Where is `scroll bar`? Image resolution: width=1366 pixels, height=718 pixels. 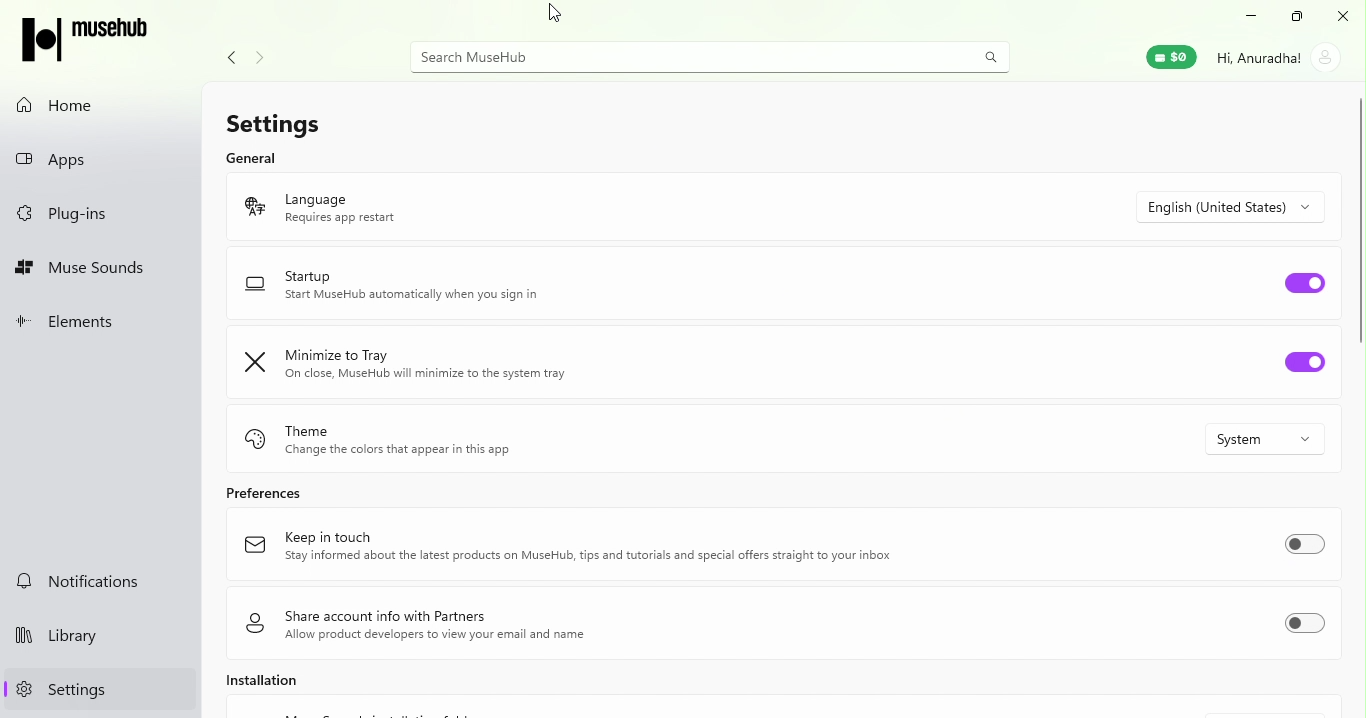 scroll bar is located at coordinates (1357, 297).